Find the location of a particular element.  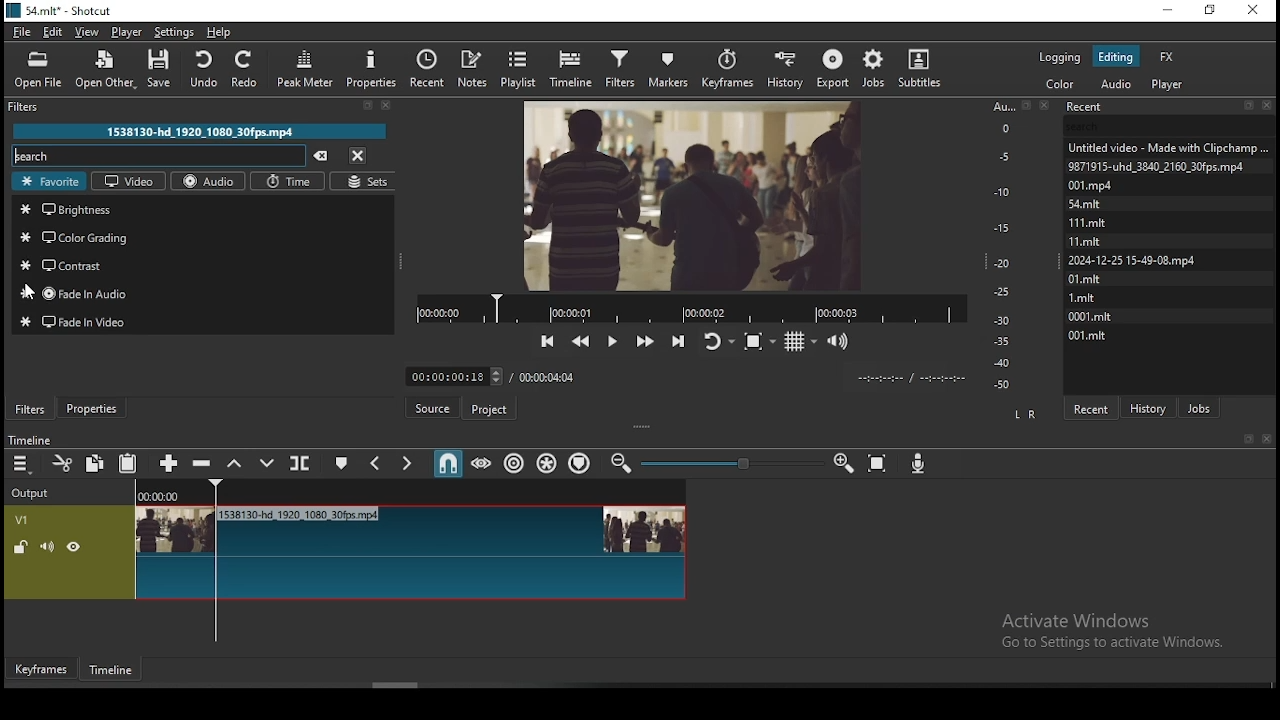

history is located at coordinates (1155, 408).